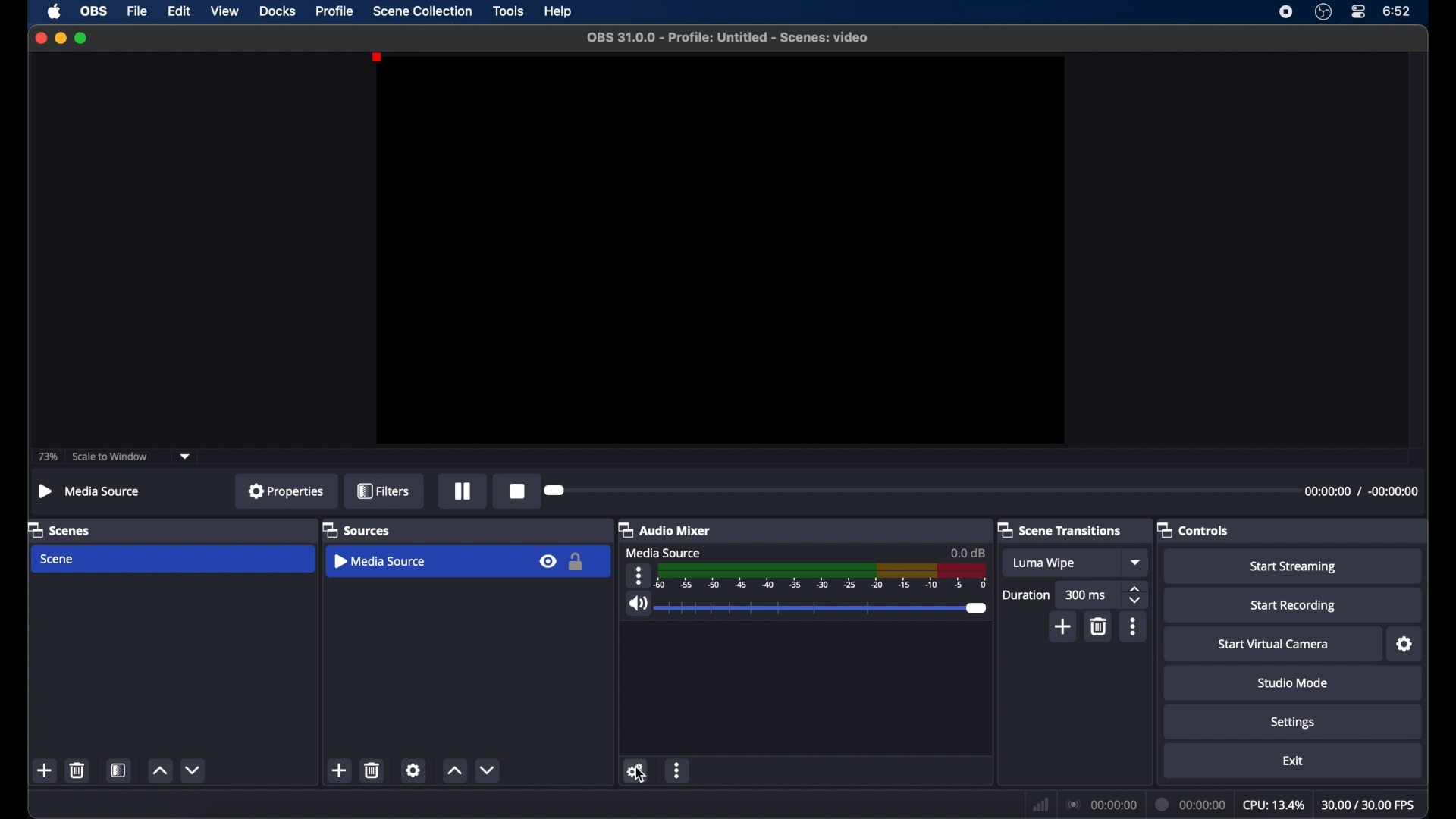 The image size is (1456, 819). What do you see at coordinates (1137, 563) in the screenshot?
I see `dropdown` at bounding box center [1137, 563].